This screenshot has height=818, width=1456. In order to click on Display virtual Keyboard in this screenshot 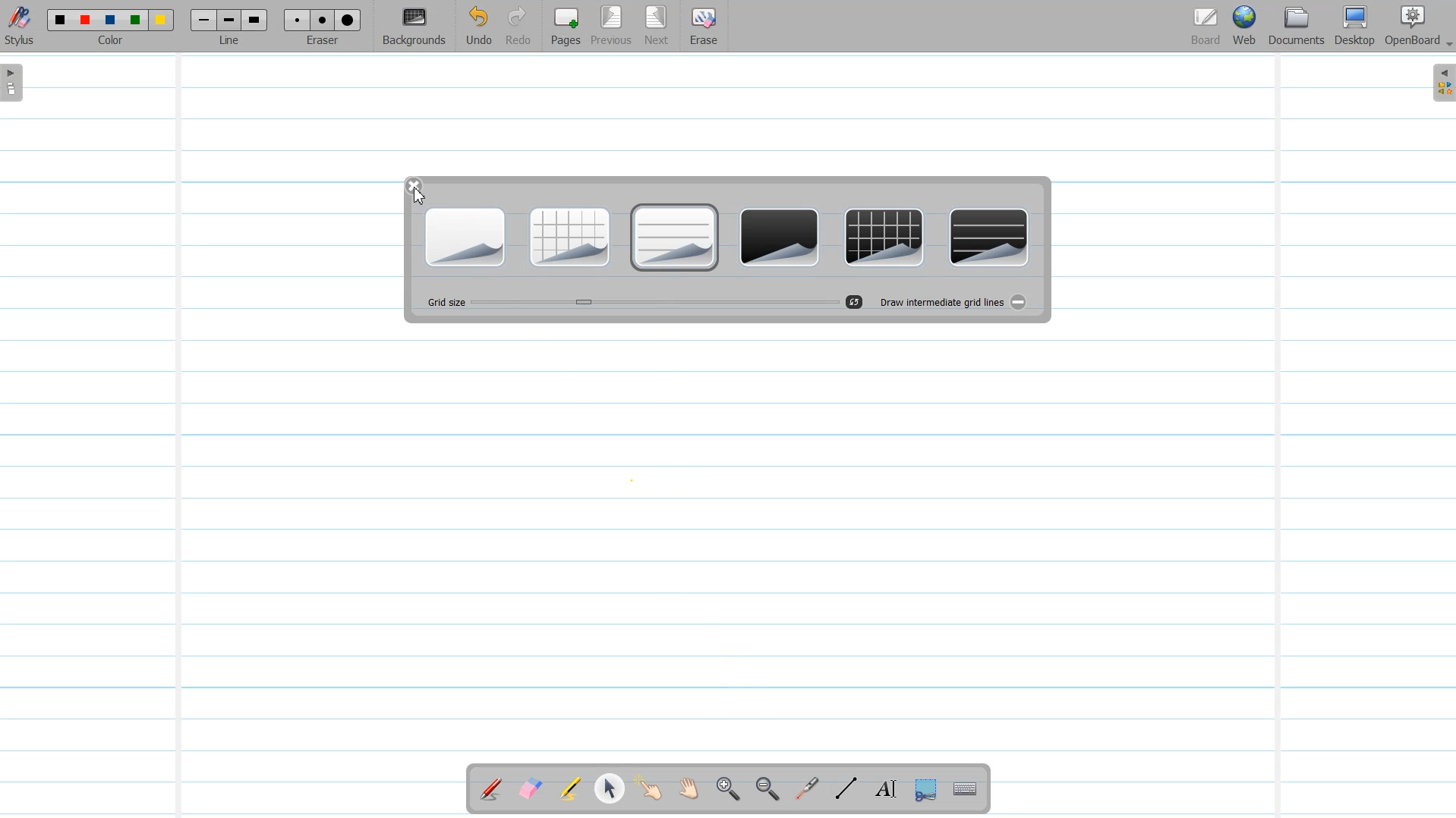, I will do `click(966, 790)`.